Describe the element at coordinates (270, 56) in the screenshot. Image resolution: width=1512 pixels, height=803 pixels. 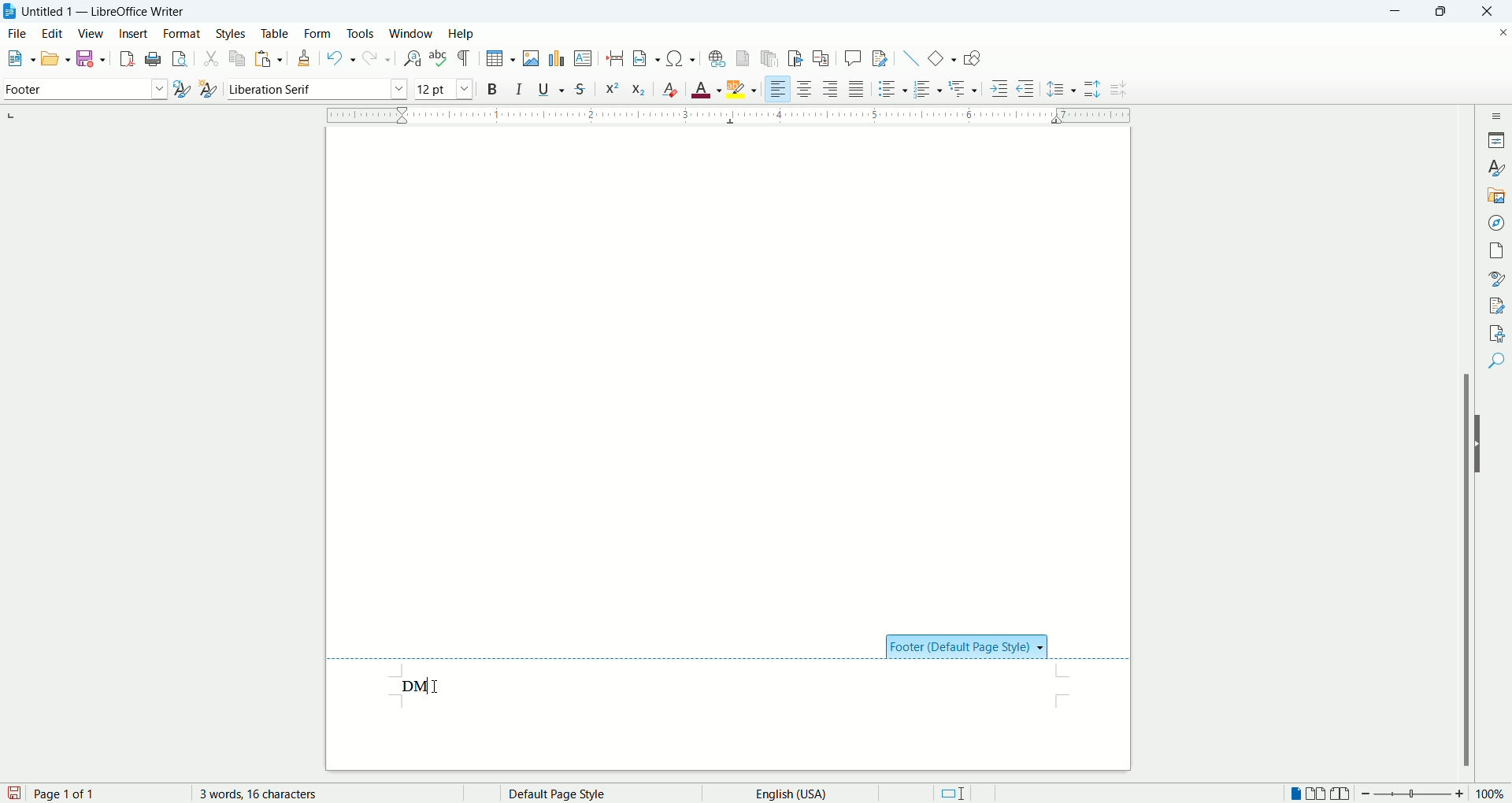
I see `paste` at that location.